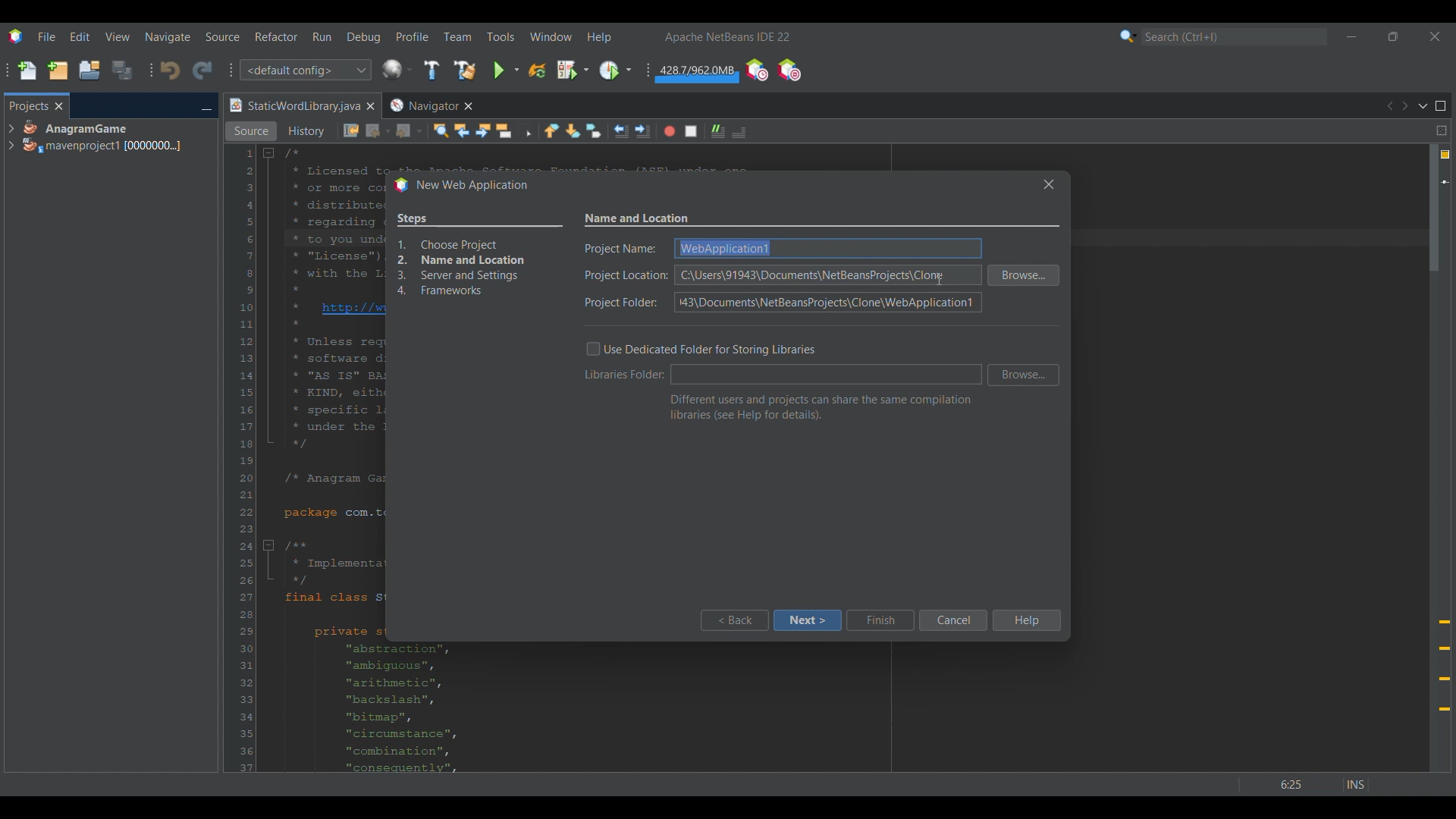 The image size is (1456, 819). Describe the element at coordinates (293, 106) in the screenshot. I see `Current tab highlighted` at that location.